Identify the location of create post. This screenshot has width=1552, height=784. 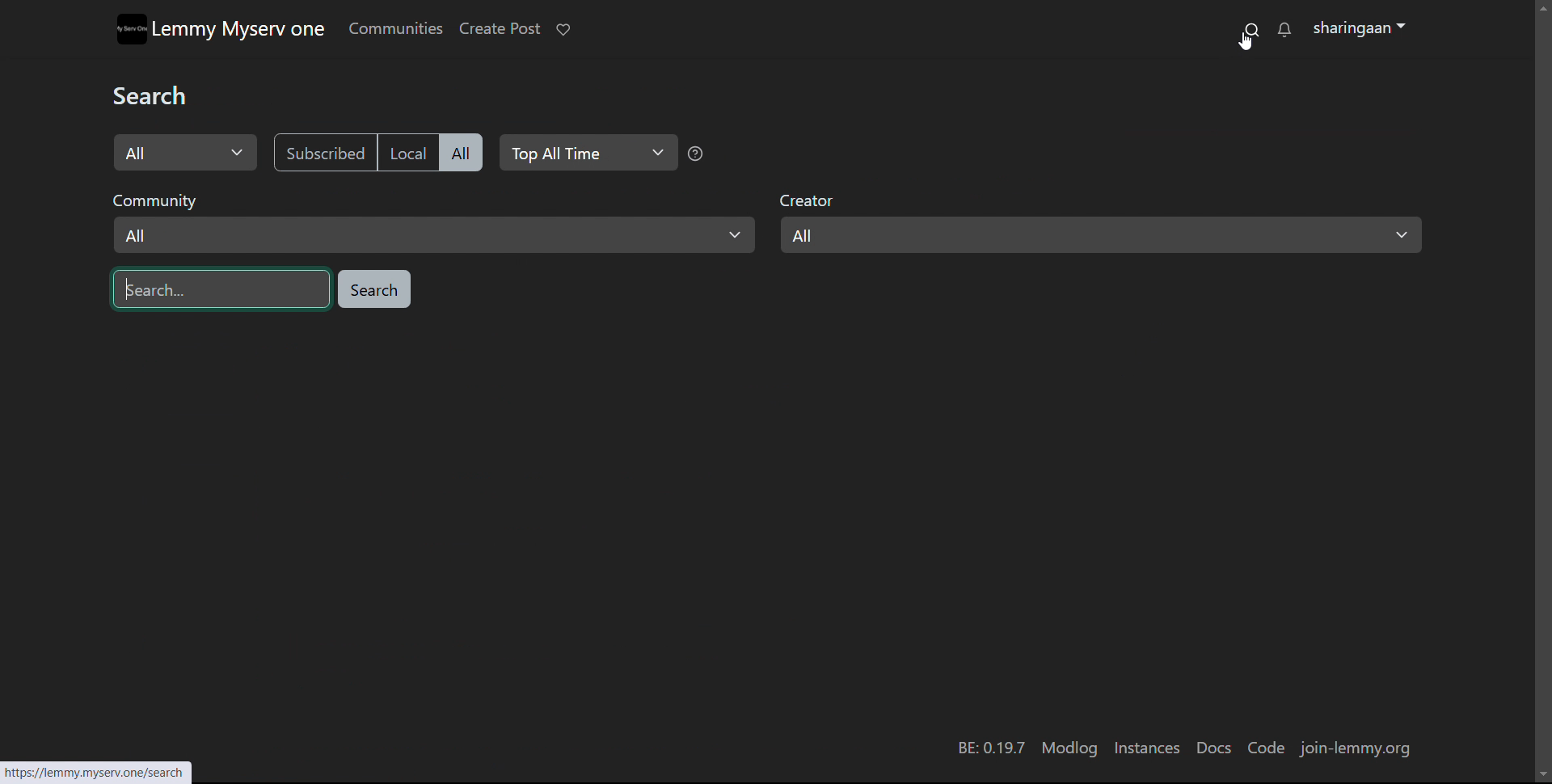
(499, 29).